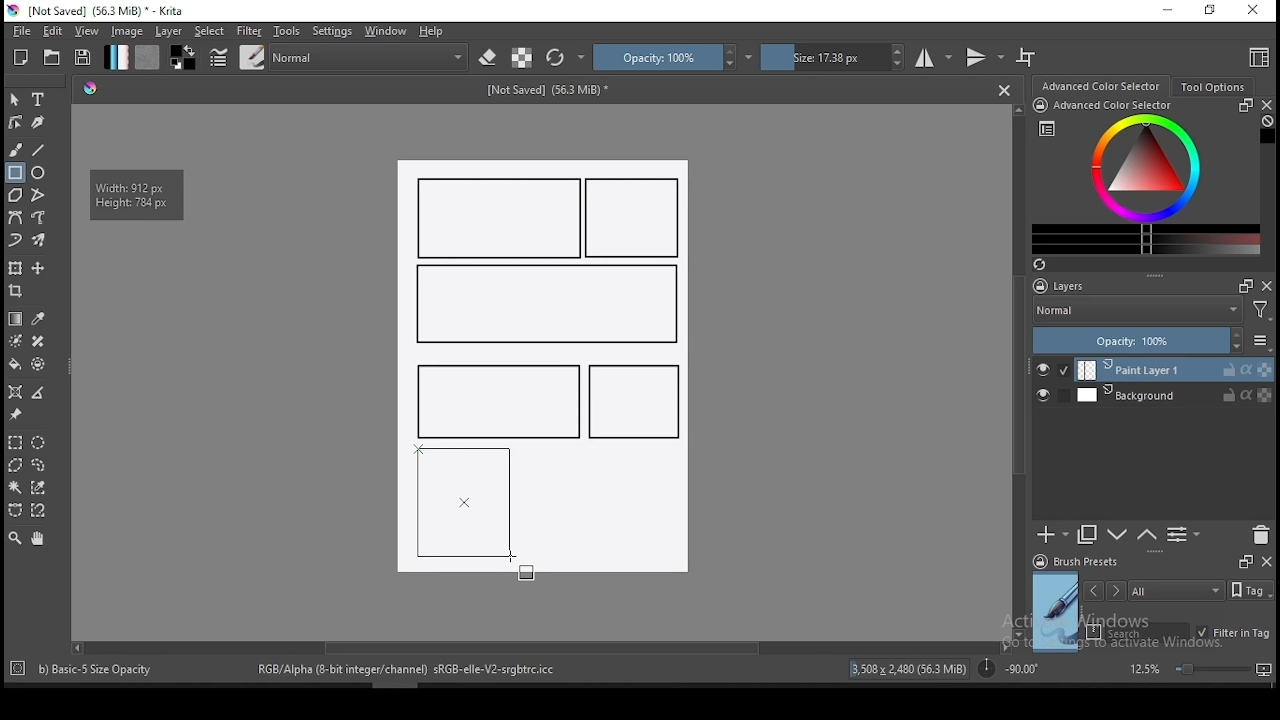 Image resolution: width=1280 pixels, height=720 pixels. Describe the element at coordinates (1147, 535) in the screenshot. I see `move layer one step down` at that location.